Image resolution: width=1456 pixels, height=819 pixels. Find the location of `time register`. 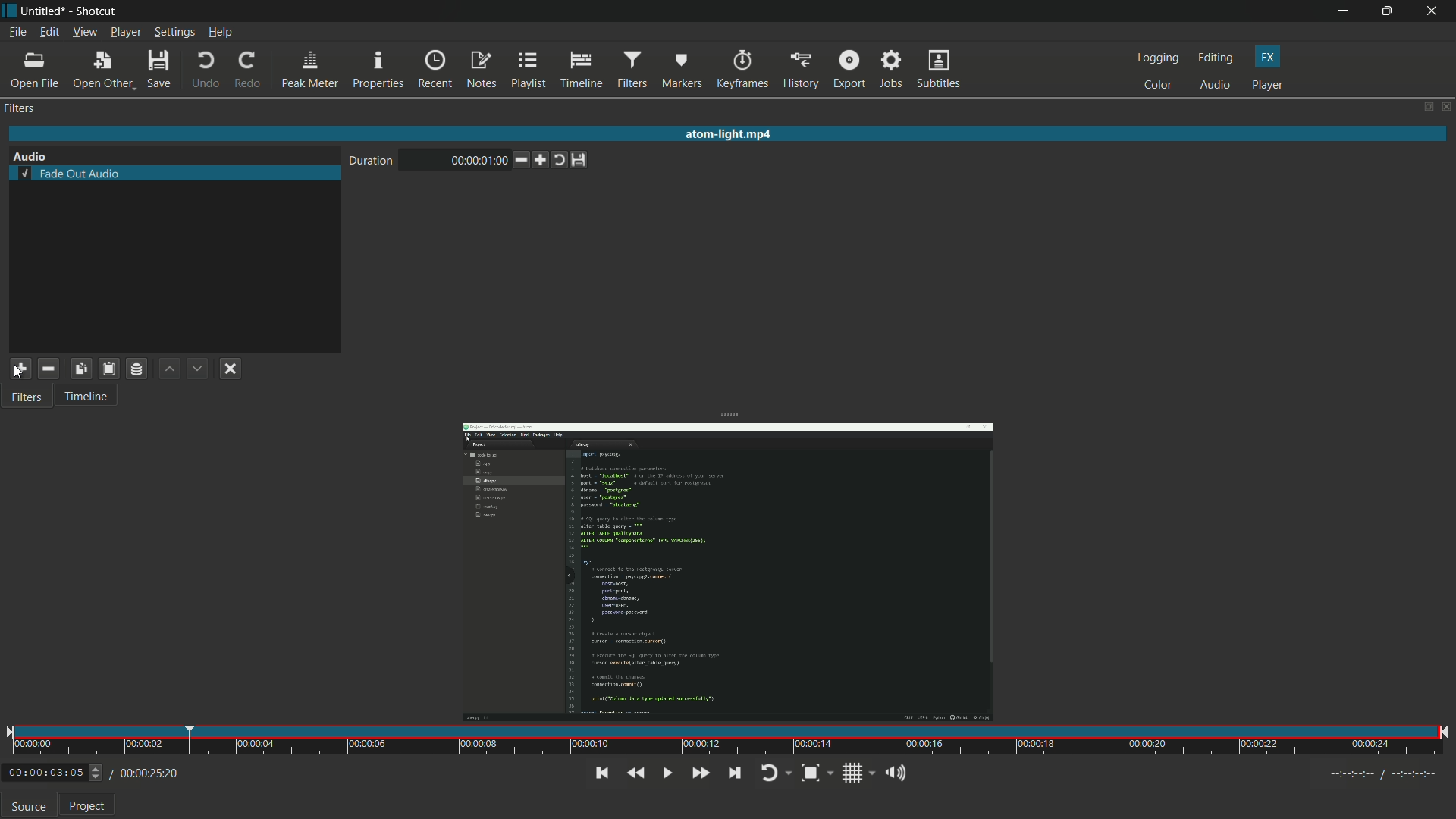

time register is located at coordinates (1385, 774).